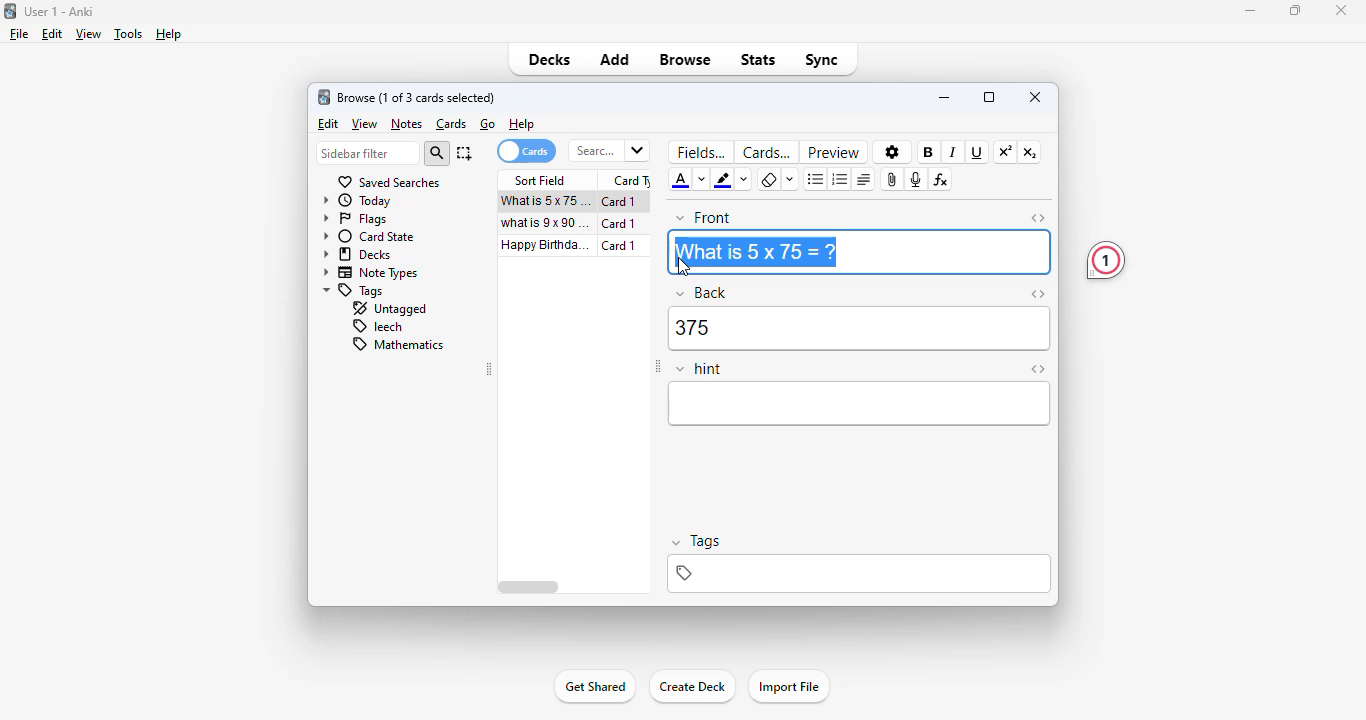 This screenshot has height=720, width=1366. Describe the element at coordinates (770, 179) in the screenshot. I see `remove formatting` at that location.